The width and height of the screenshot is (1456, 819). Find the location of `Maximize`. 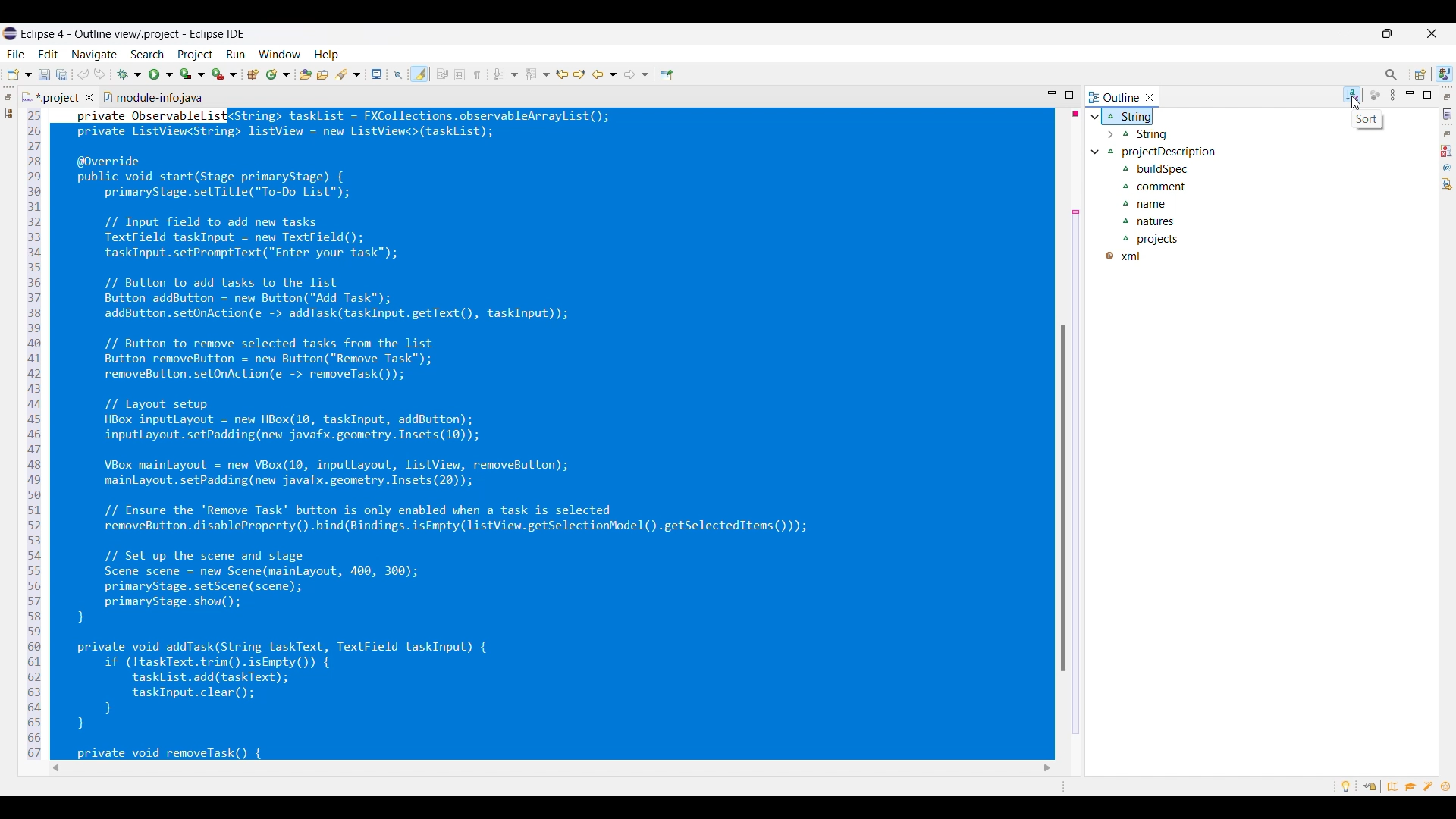

Maximize is located at coordinates (1426, 95).